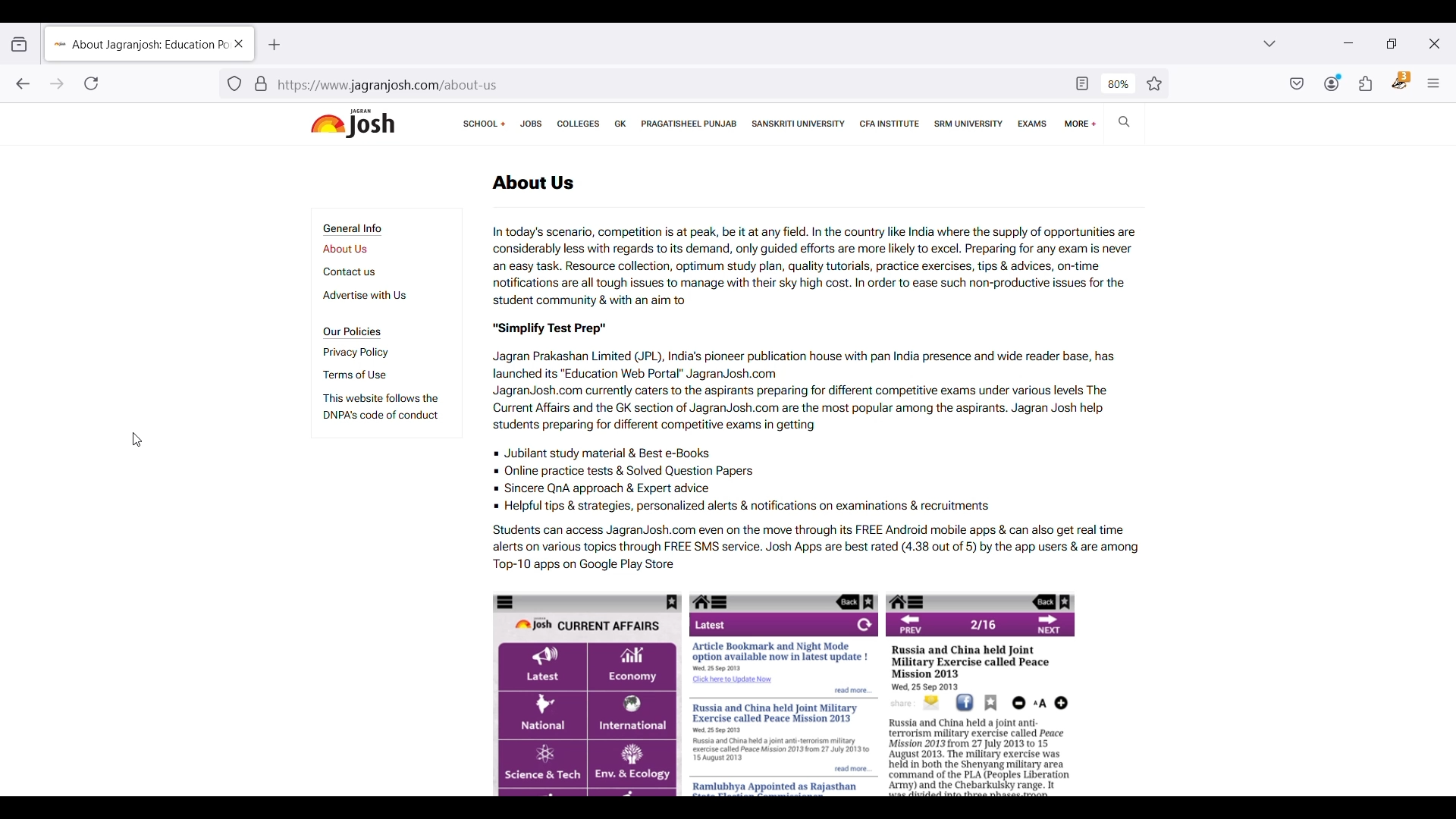 This screenshot has width=1456, height=819. What do you see at coordinates (136, 43) in the screenshot?
I see `About Jagran Josh Education` at bounding box center [136, 43].